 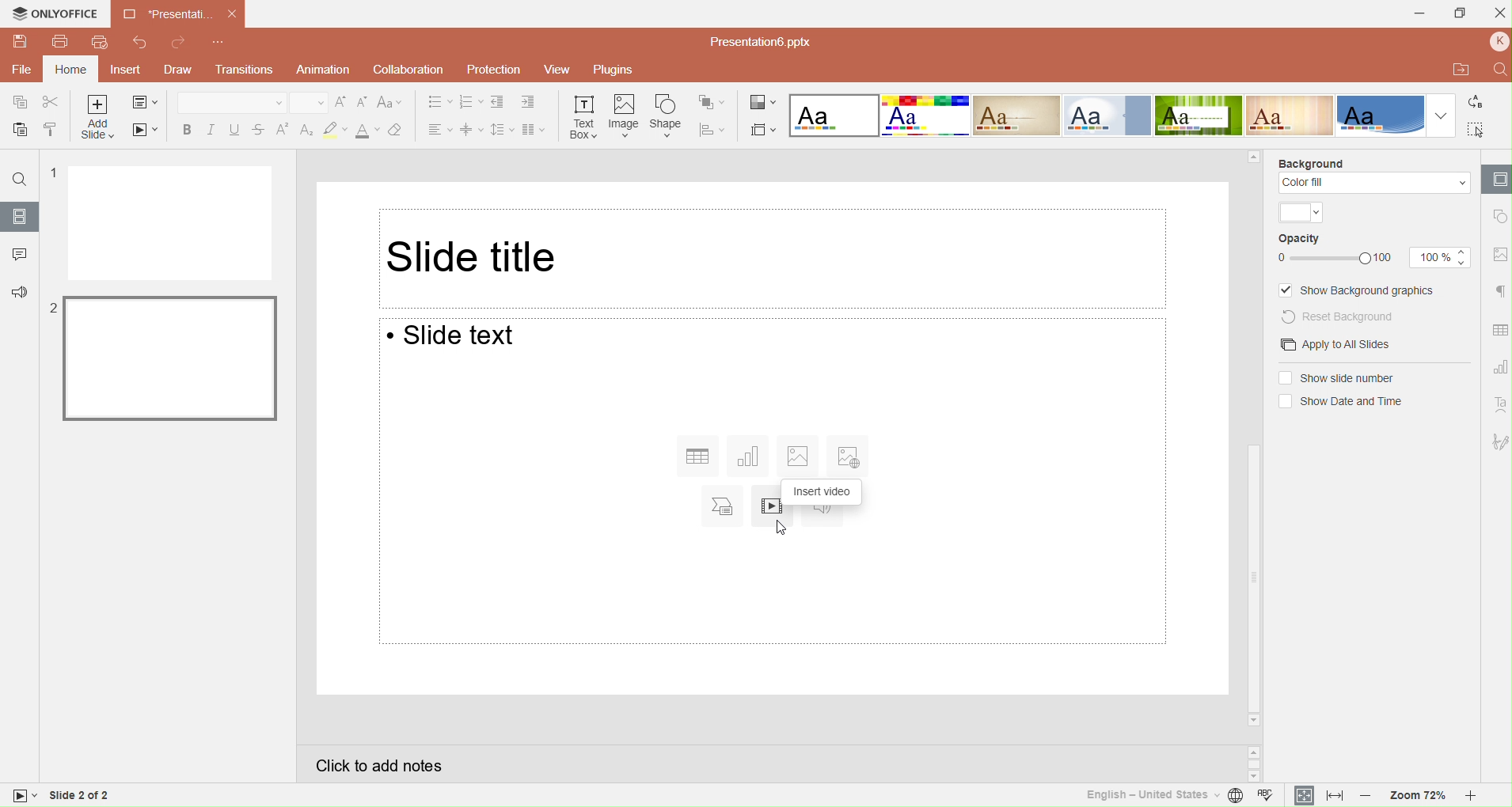 What do you see at coordinates (232, 101) in the screenshot?
I see `Font` at bounding box center [232, 101].